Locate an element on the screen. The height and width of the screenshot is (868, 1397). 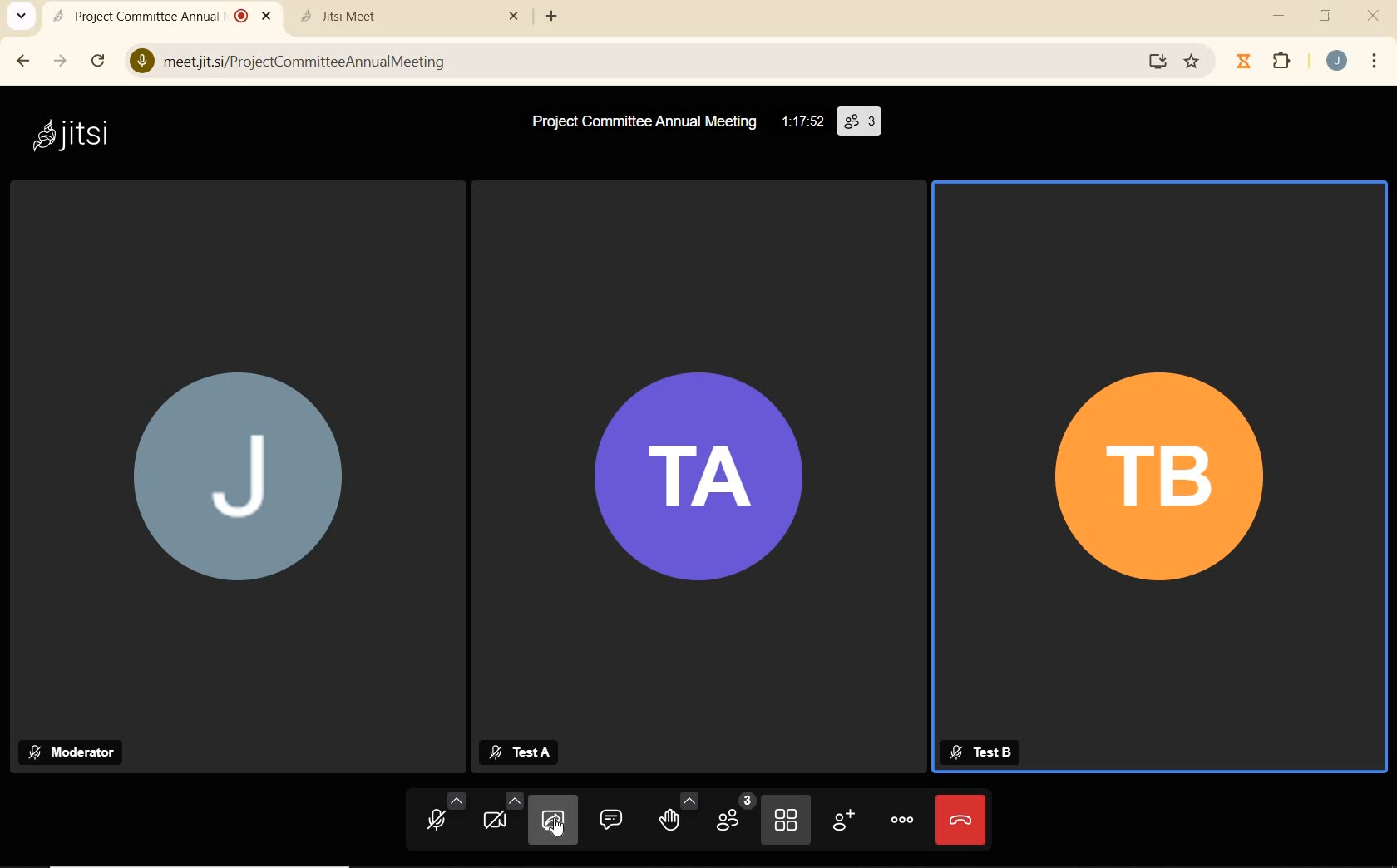
Project Committee Annual is located at coordinates (159, 16).